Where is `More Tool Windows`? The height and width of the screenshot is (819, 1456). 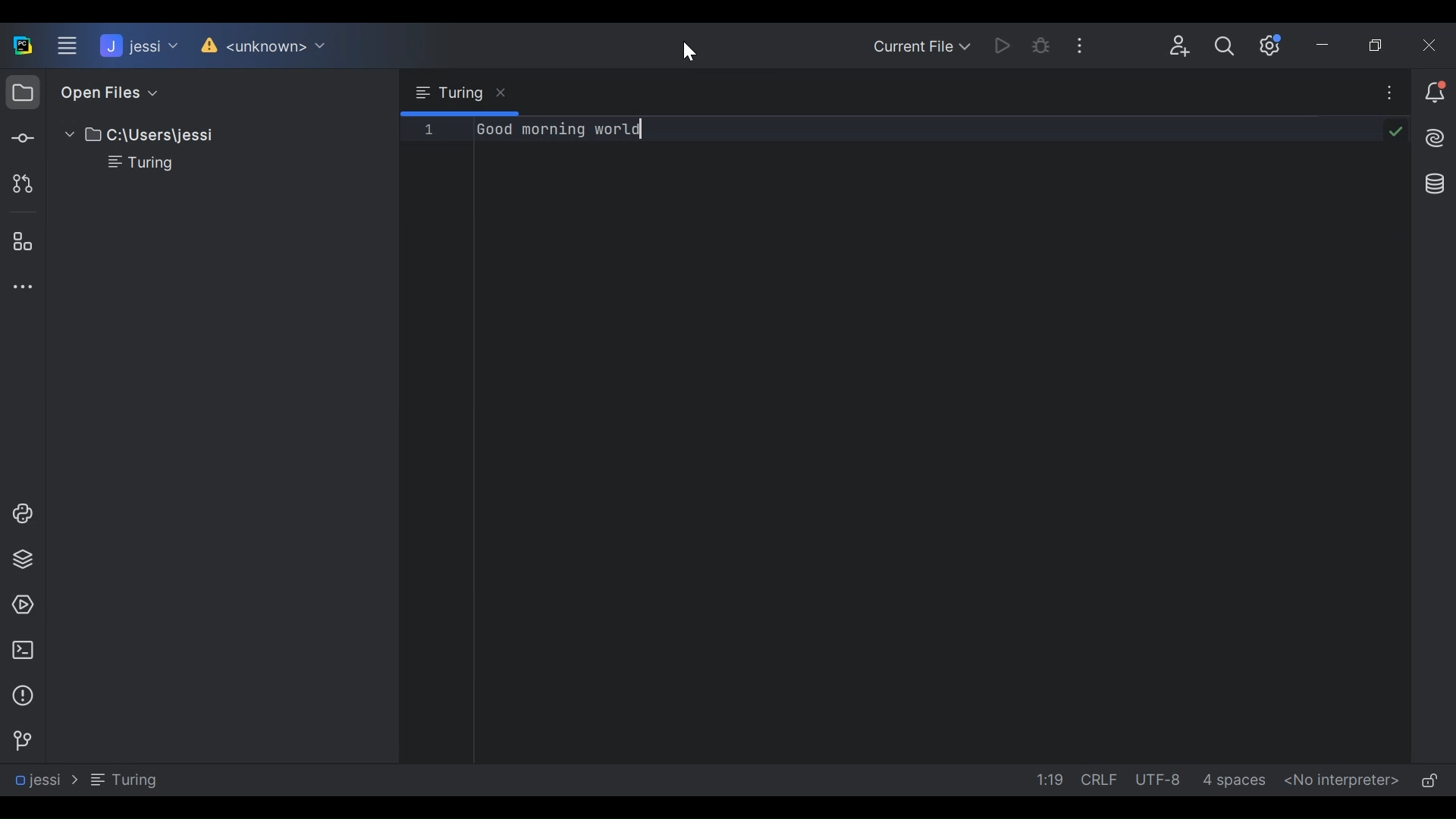 More Tool Windows is located at coordinates (18, 286).